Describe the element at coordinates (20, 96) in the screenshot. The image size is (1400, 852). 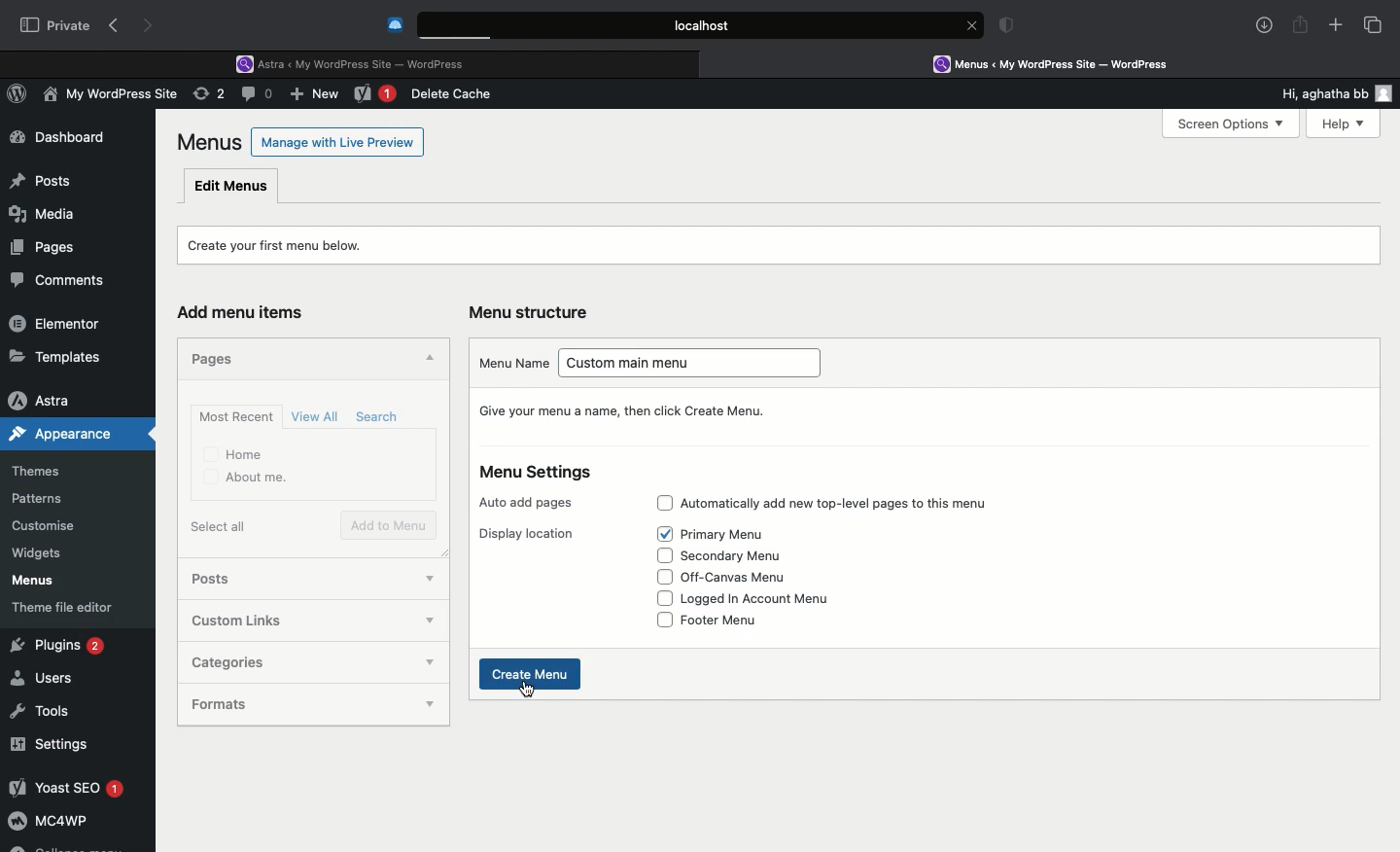
I see `WordPress Logo` at that location.